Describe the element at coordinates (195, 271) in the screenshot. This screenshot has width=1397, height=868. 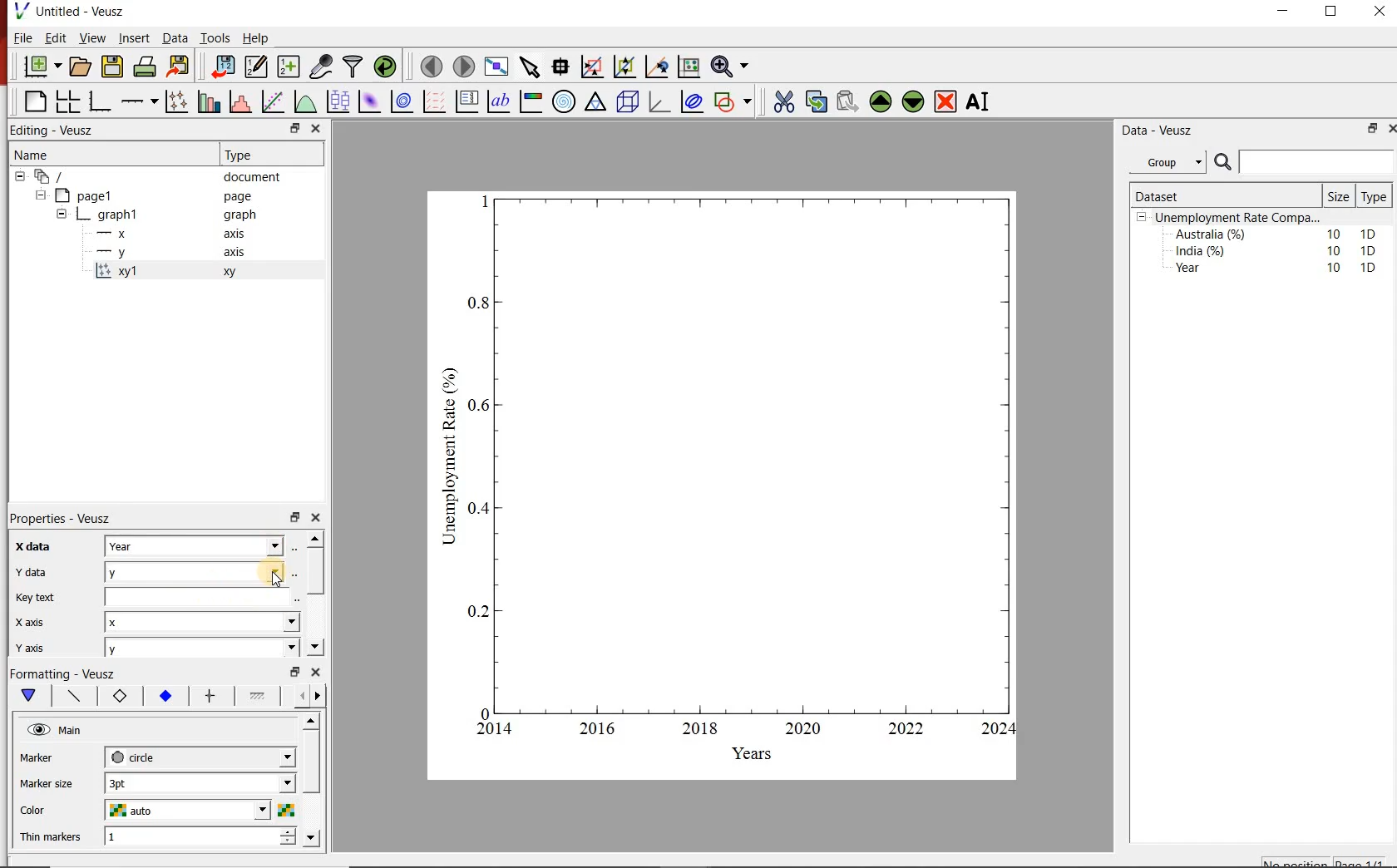
I see `xy 1 xy` at that location.